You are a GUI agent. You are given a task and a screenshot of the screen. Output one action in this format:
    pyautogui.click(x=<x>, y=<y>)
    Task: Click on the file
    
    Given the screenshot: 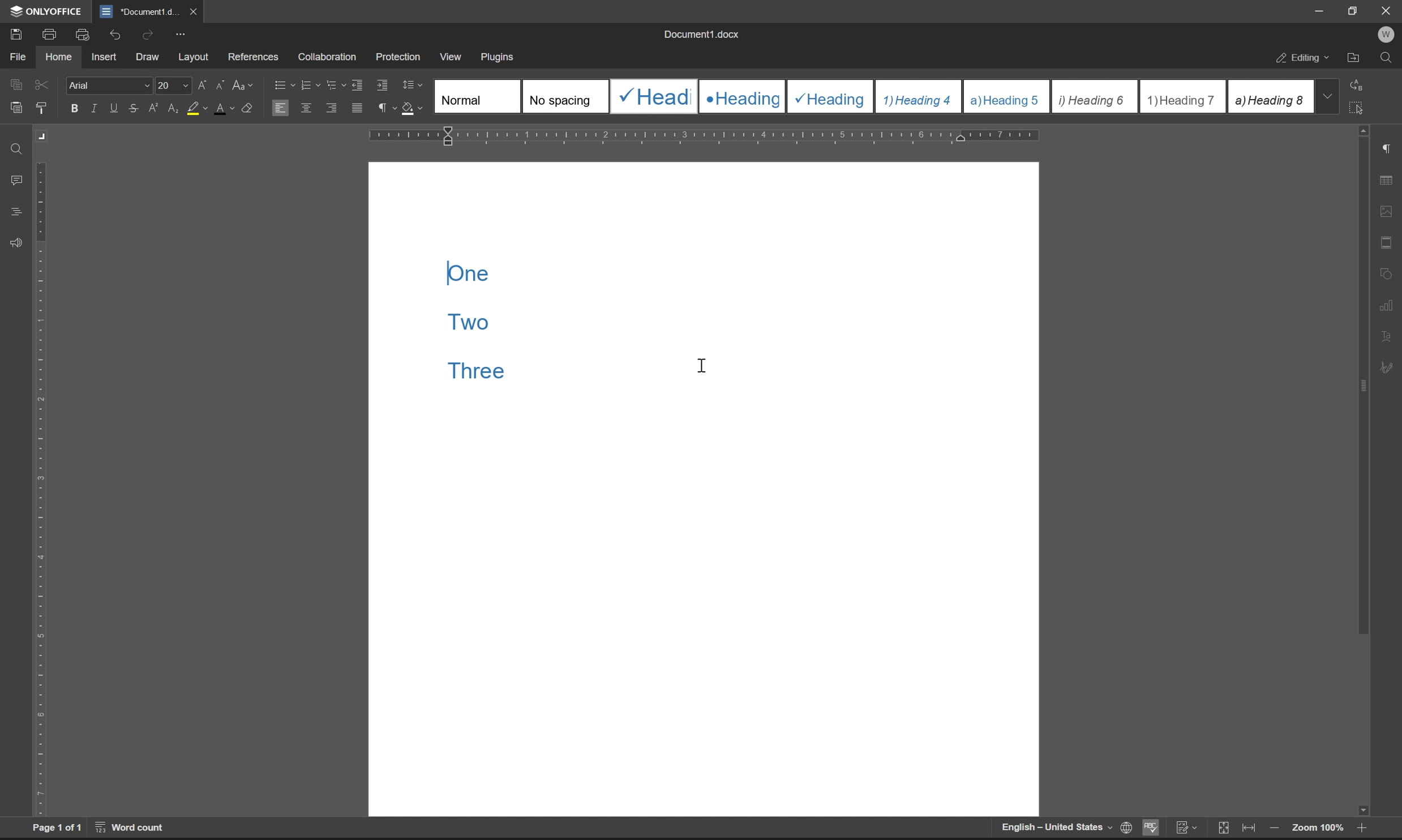 What is the action you would take?
    pyautogui.click(x=17, y=57)
    